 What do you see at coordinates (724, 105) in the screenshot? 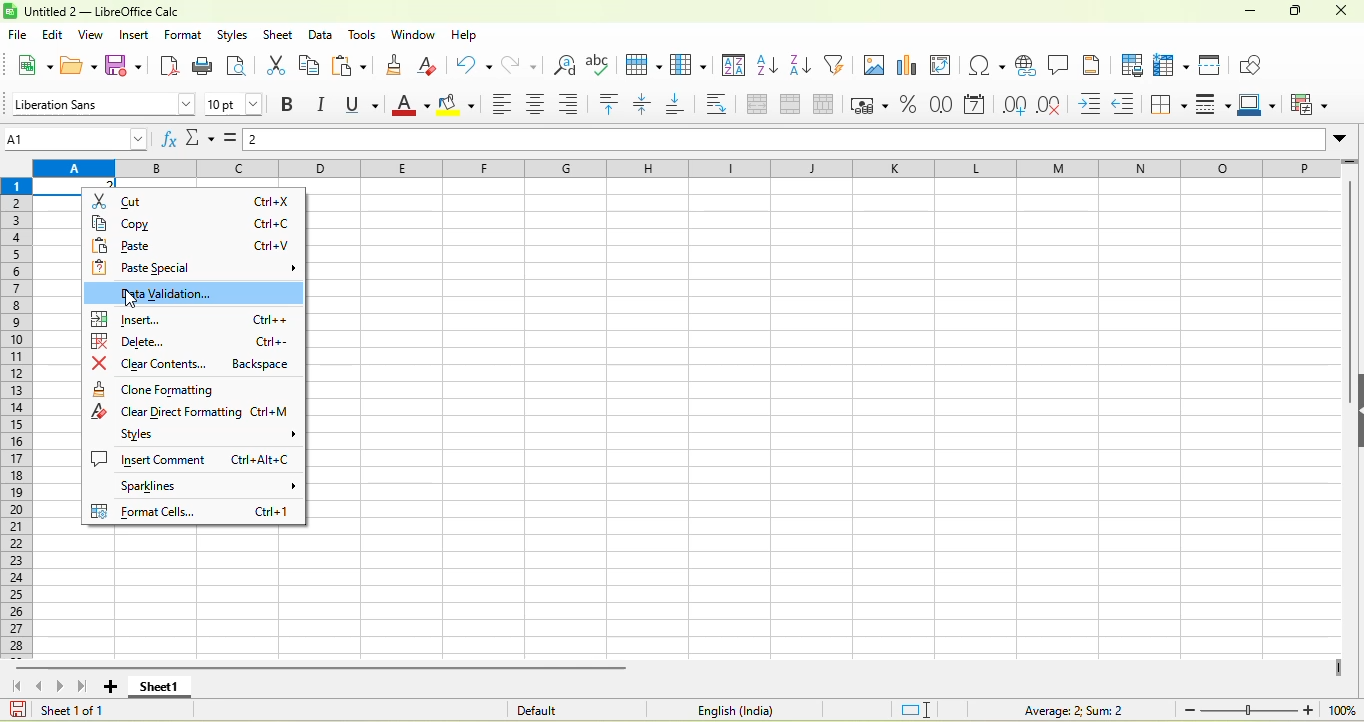
I see `wrap` at bounding box center [724, 105].